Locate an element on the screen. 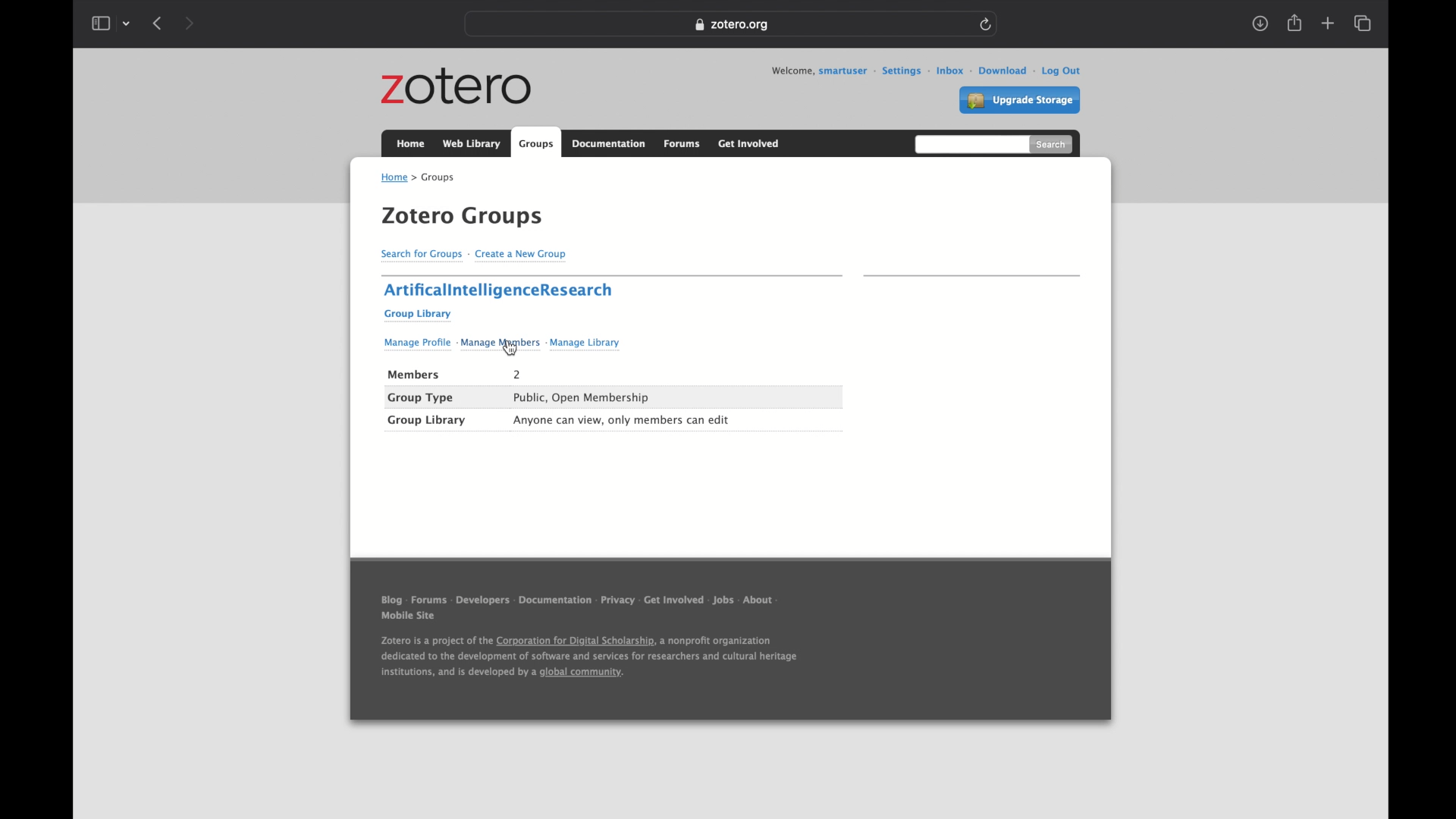 The height and width of the screenshot is (819, 1456). manage library is located at coordinates (583, 344).